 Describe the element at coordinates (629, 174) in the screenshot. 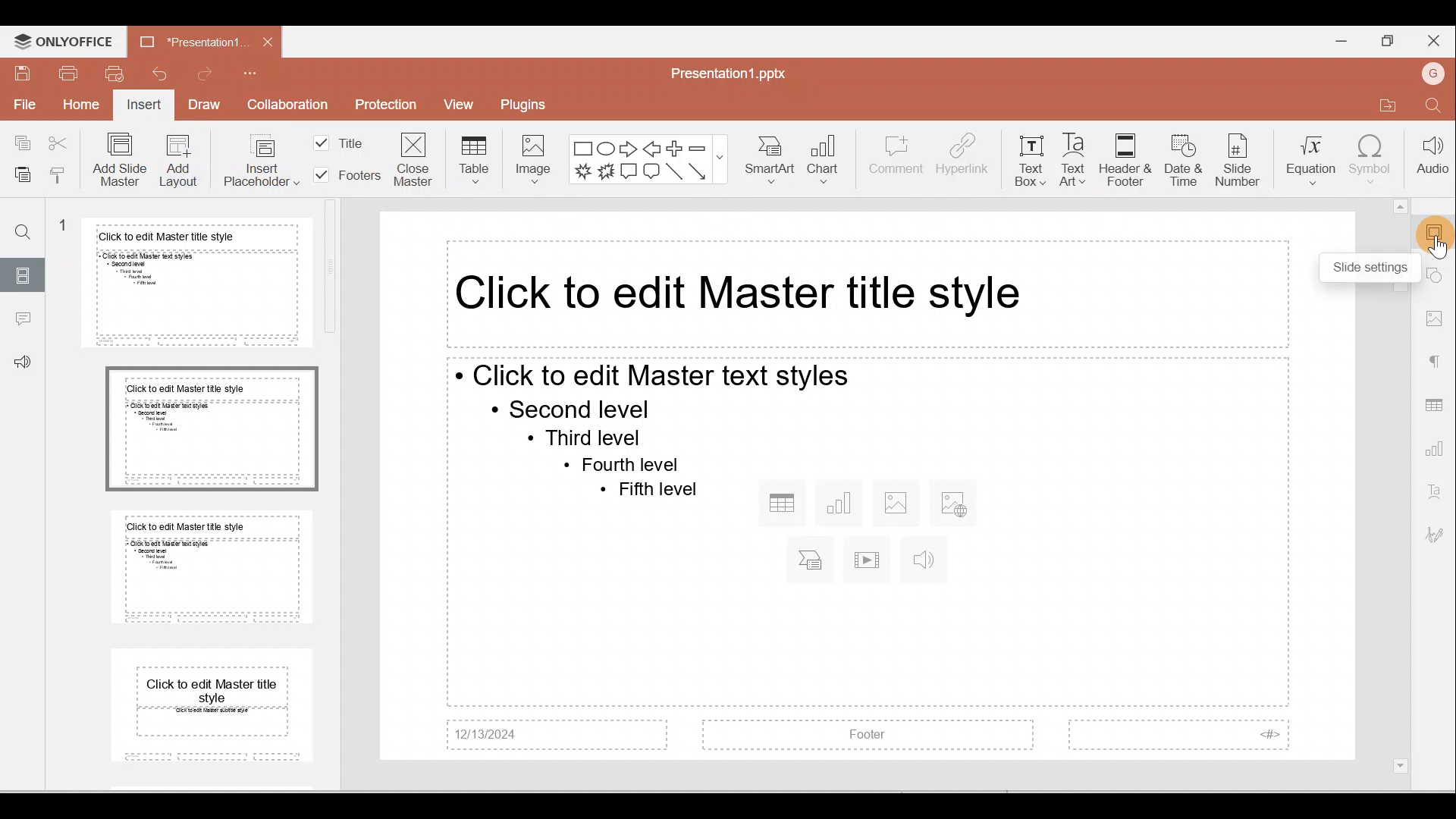

I see `Rectangular callout` at that location.